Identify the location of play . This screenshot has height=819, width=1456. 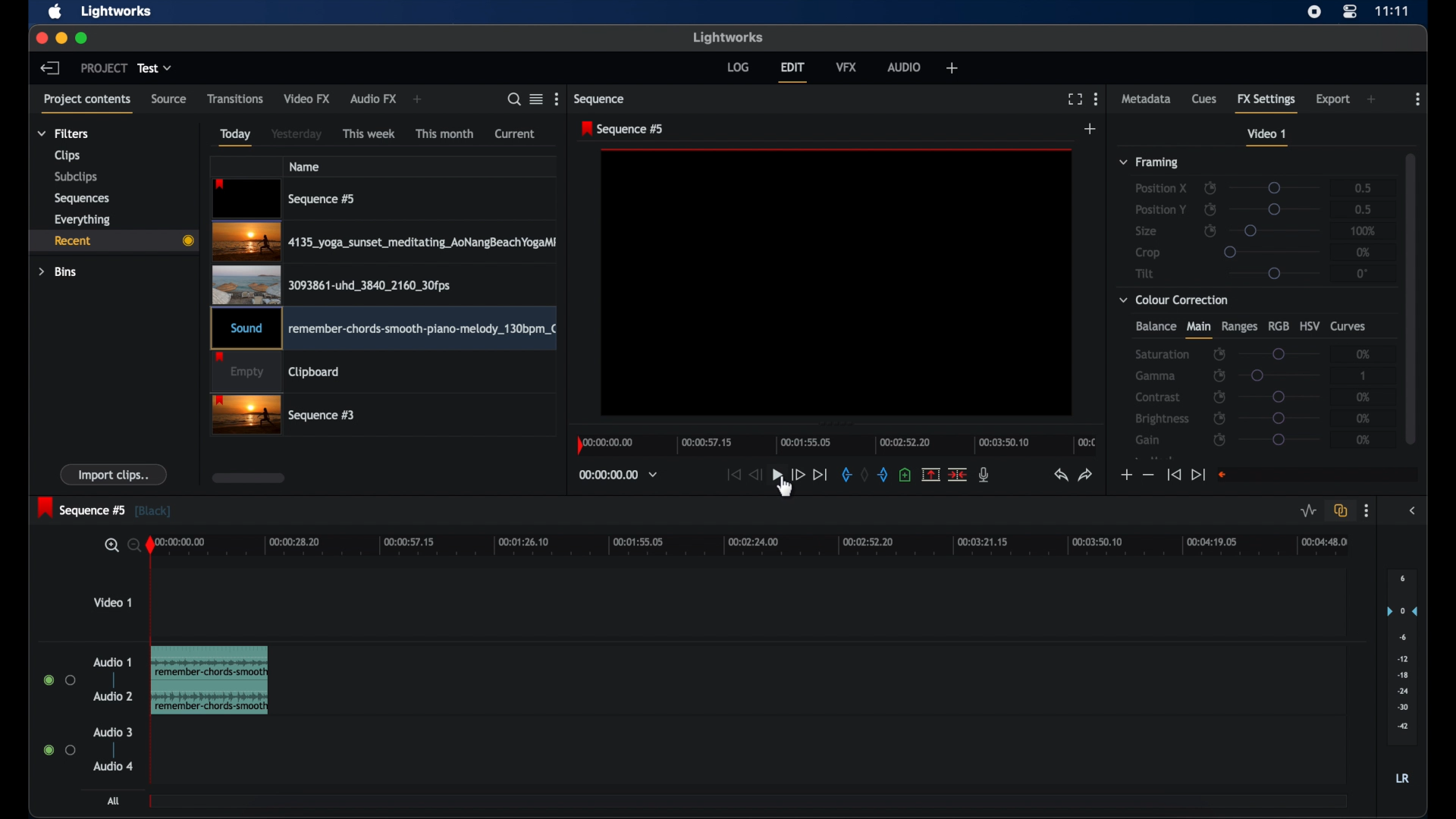
(777, 475).